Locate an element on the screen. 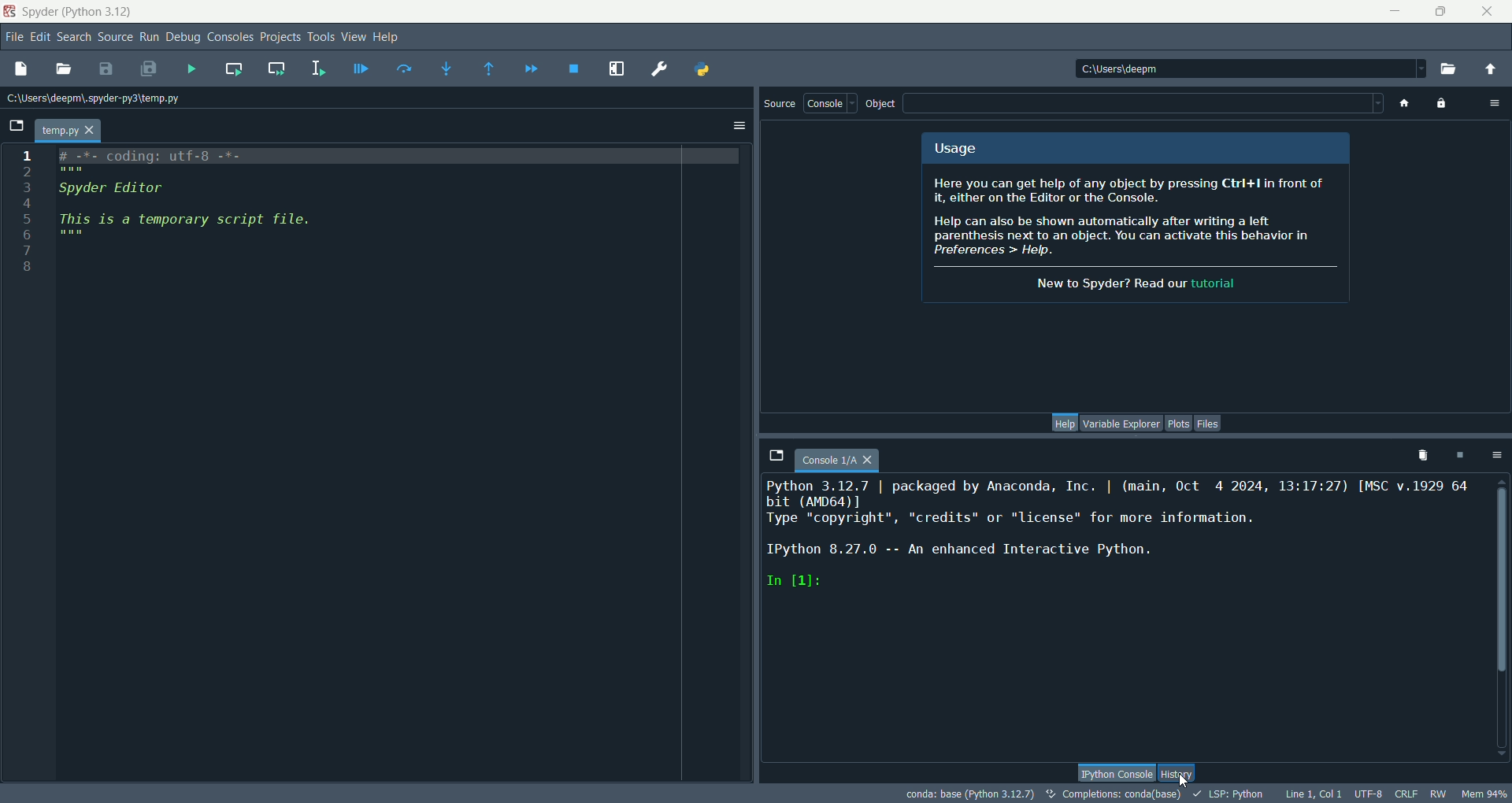 The height and width of the screenshot is (803, 1512). run current cell is located at coordinates (235, 68).